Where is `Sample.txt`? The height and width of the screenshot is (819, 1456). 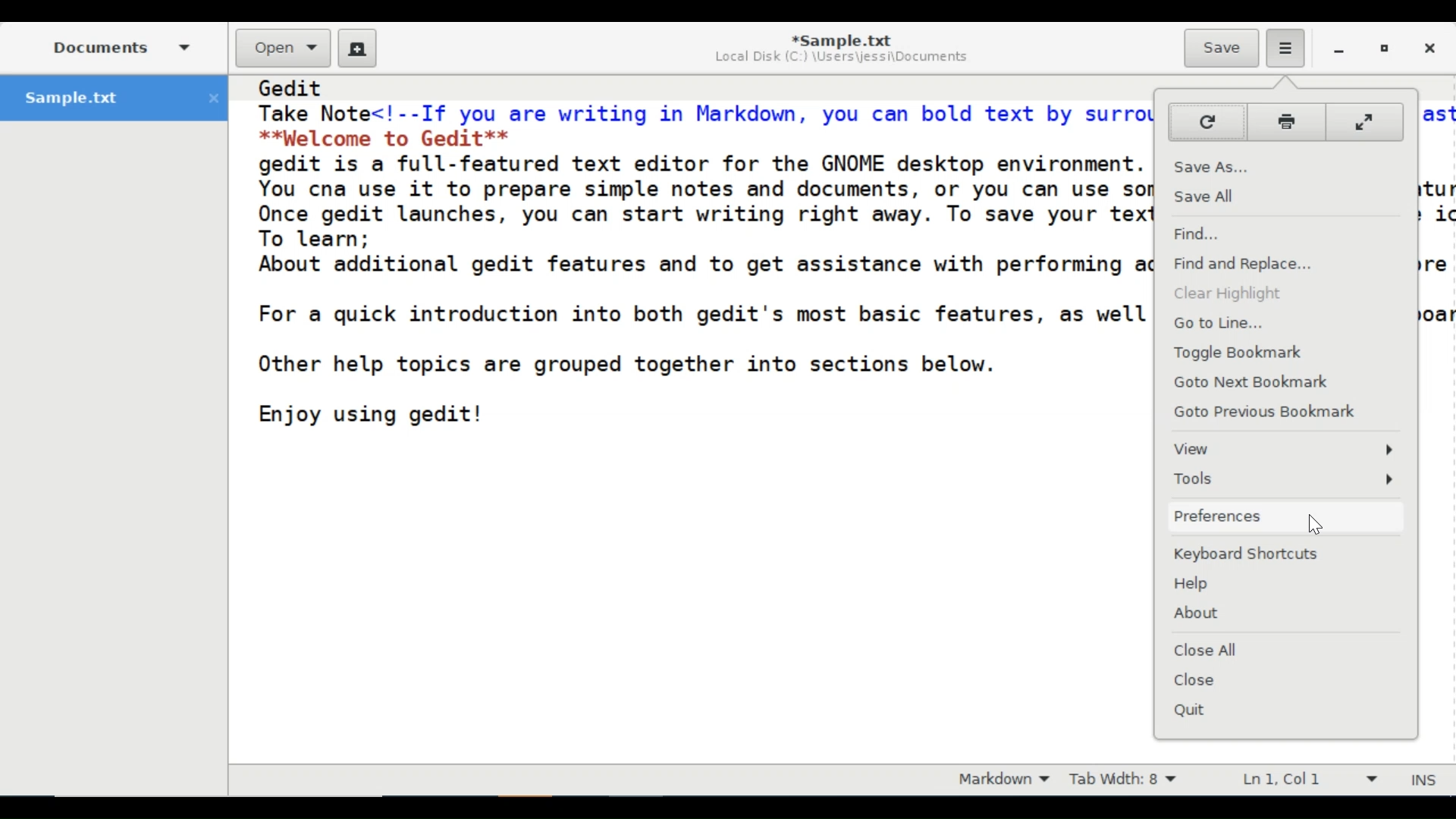
Sample.txt is located at coordinates (113, 99).